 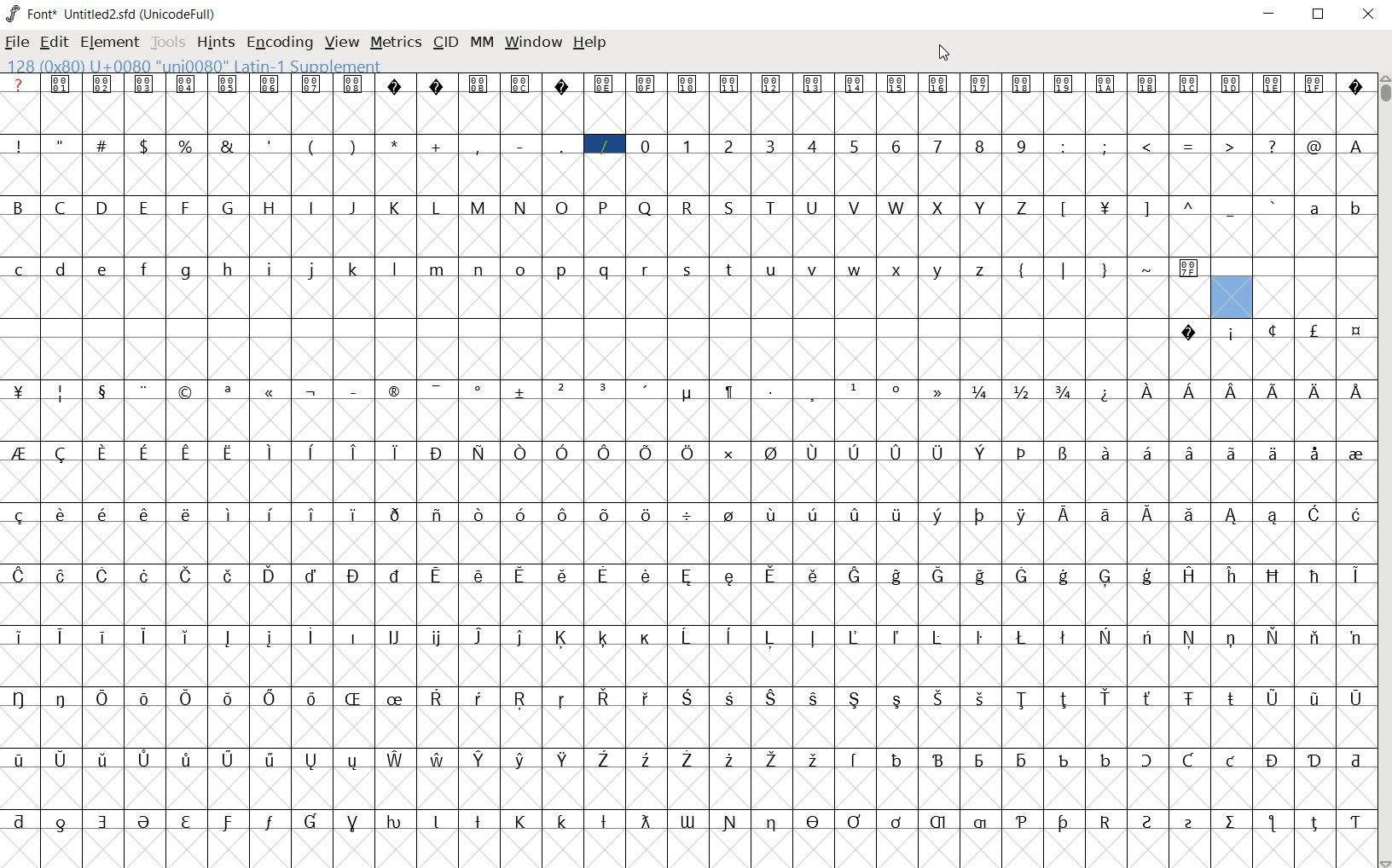 I want to click on glyph, so click(x=17, y=206).